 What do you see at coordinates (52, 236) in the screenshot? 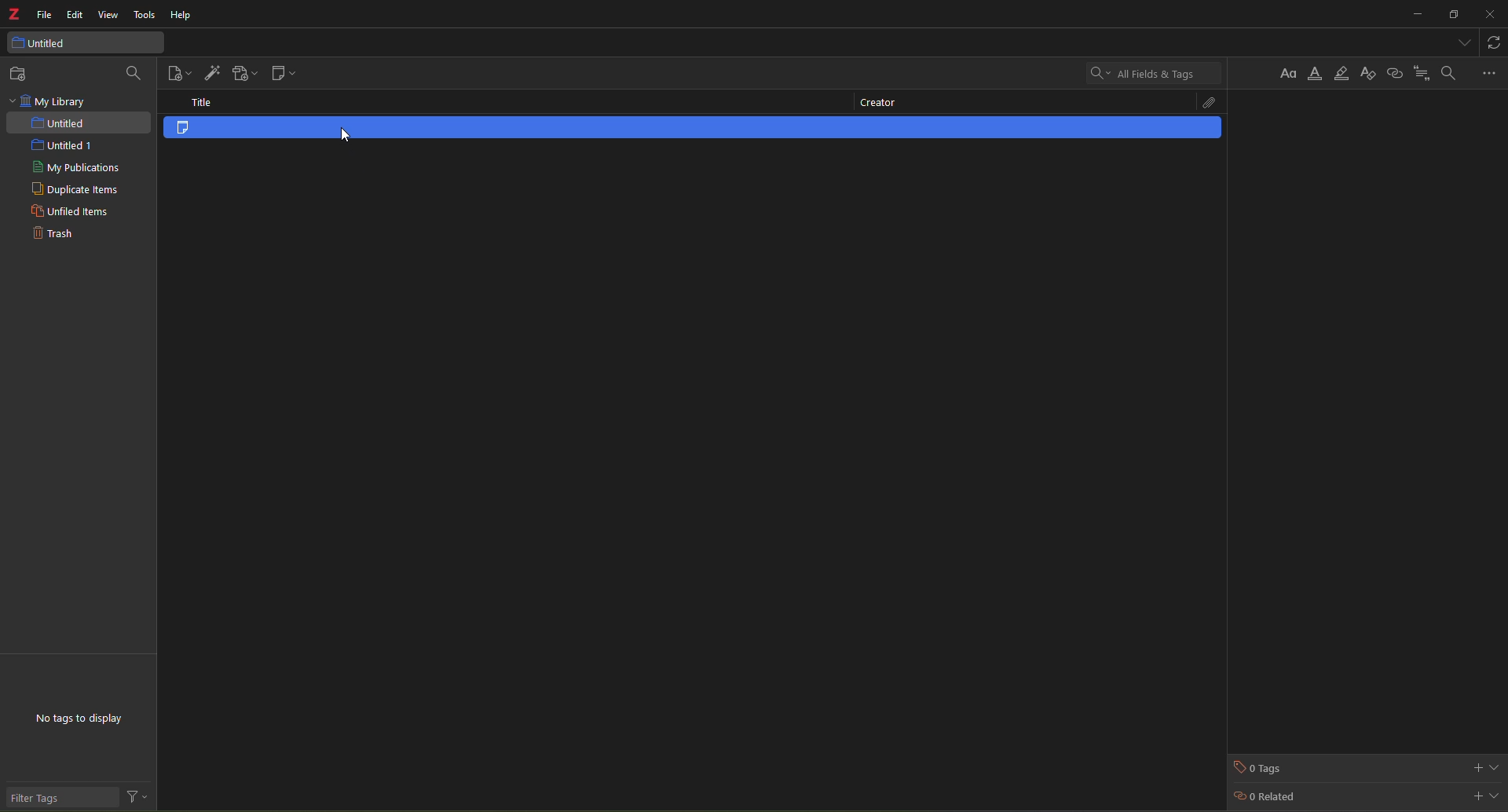
I see `trash` at bounding box center [52, 236].